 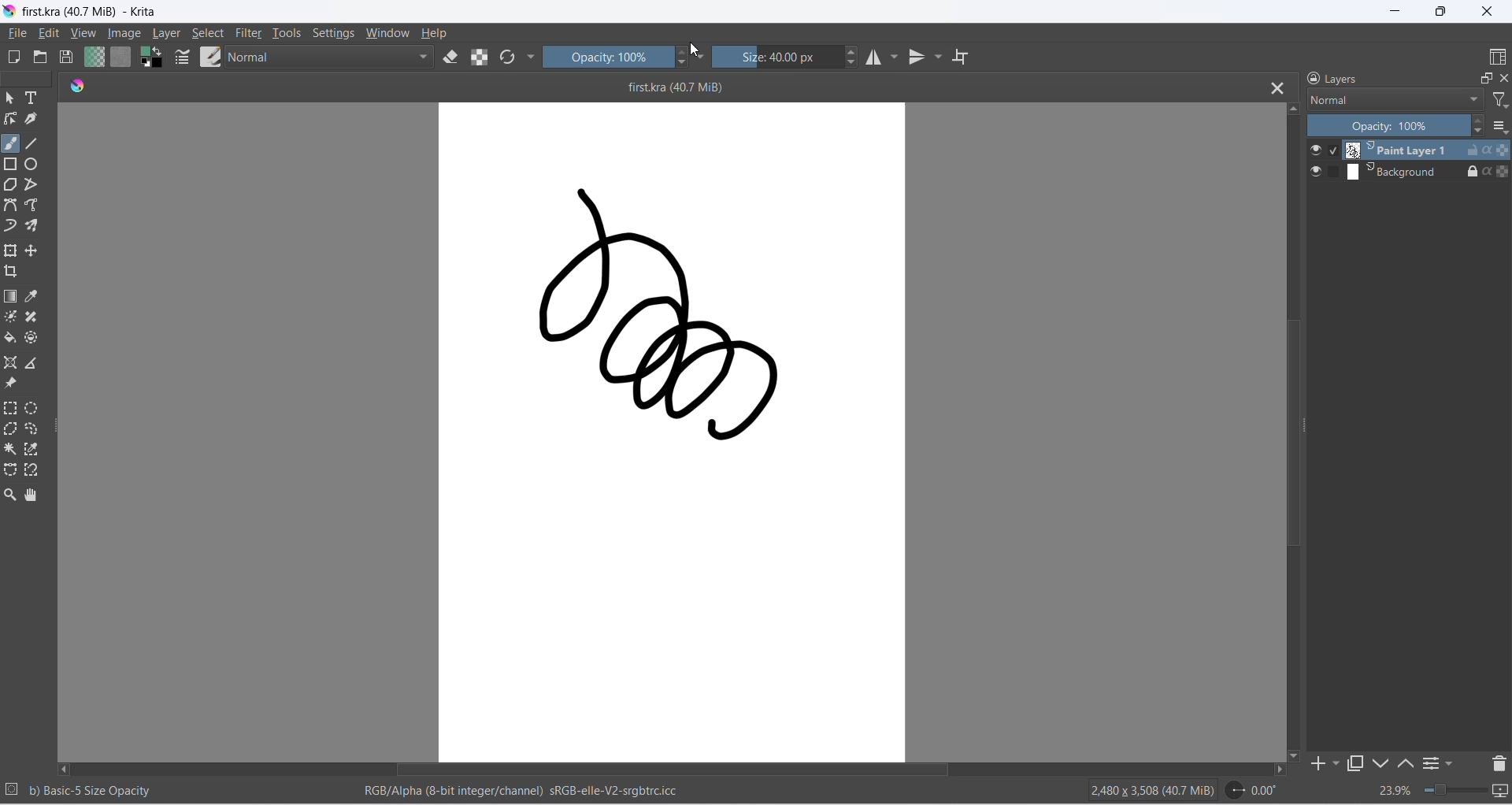 What do you see at coordinates (10, 469) in the screenshot?
I see `Bezier curve selection tool` at bounding box center [10, 469].